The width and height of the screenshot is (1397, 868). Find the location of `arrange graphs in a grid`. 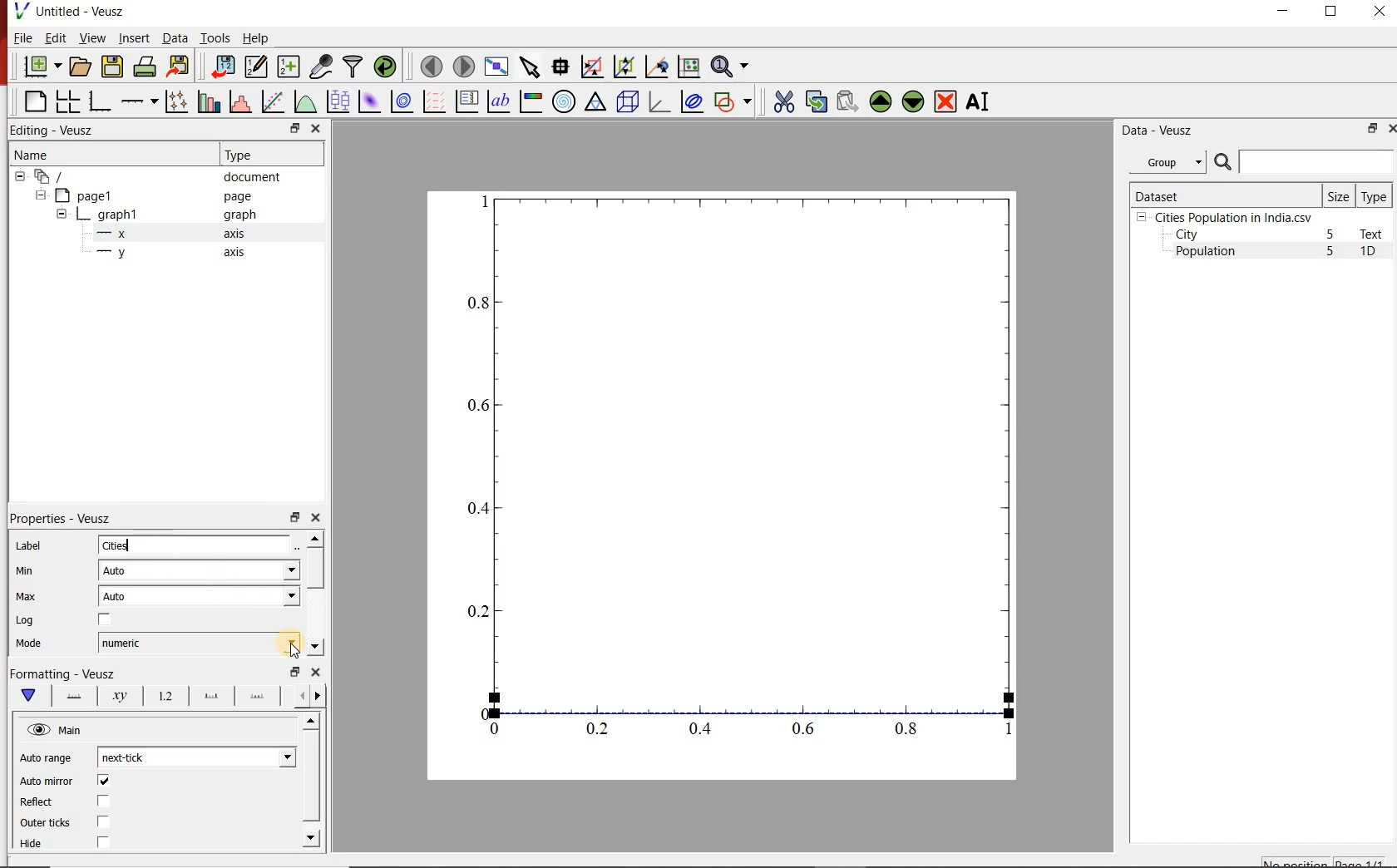

arrange graphs in a grid is located at coordinates (67, 101).